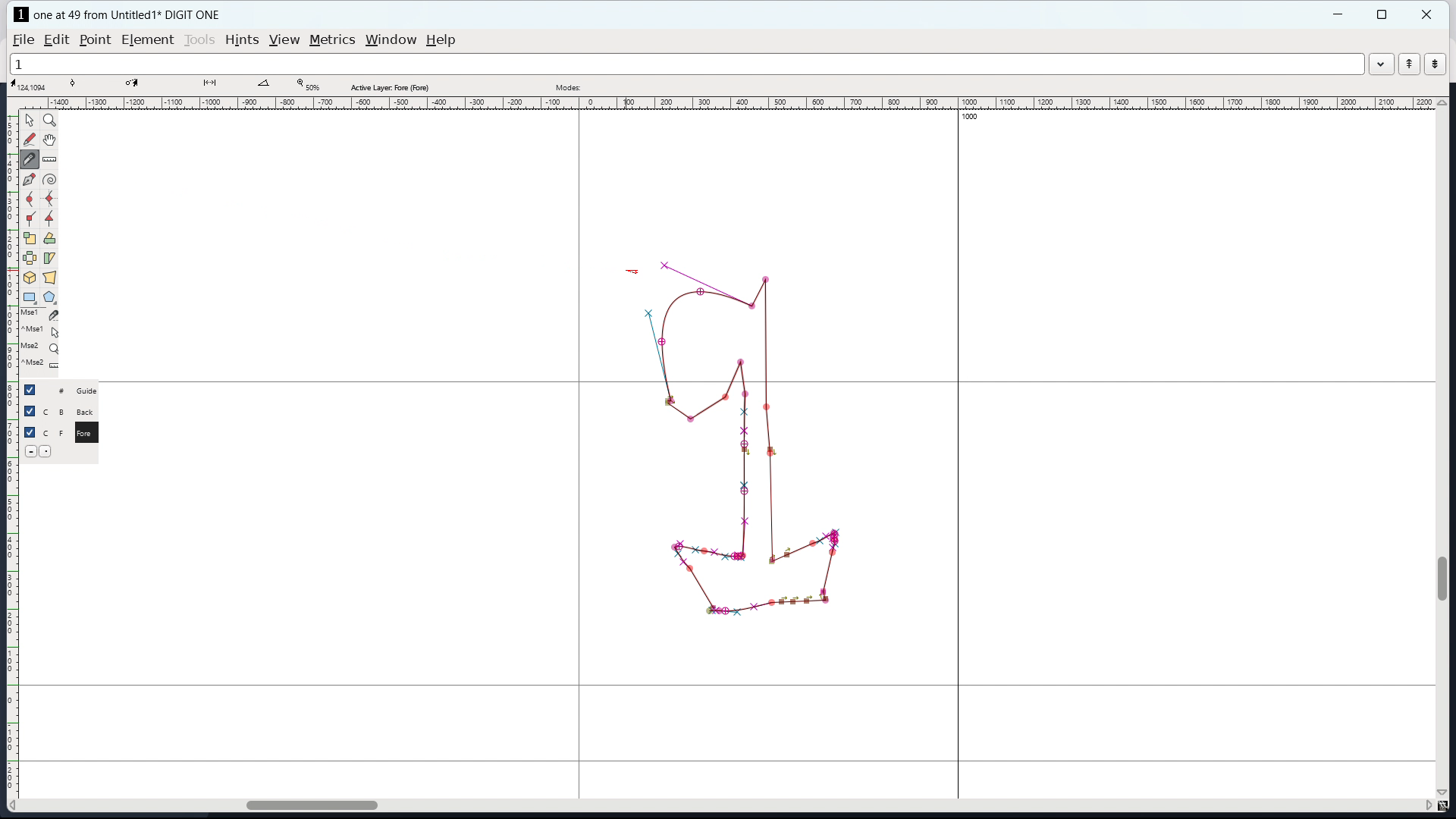 This screenshot has height=819, width=1456. What do you see at coordinates (29, 180) in the screenshot?
I see `add a point then drag out its  control points` at bounding box center [29, 180].